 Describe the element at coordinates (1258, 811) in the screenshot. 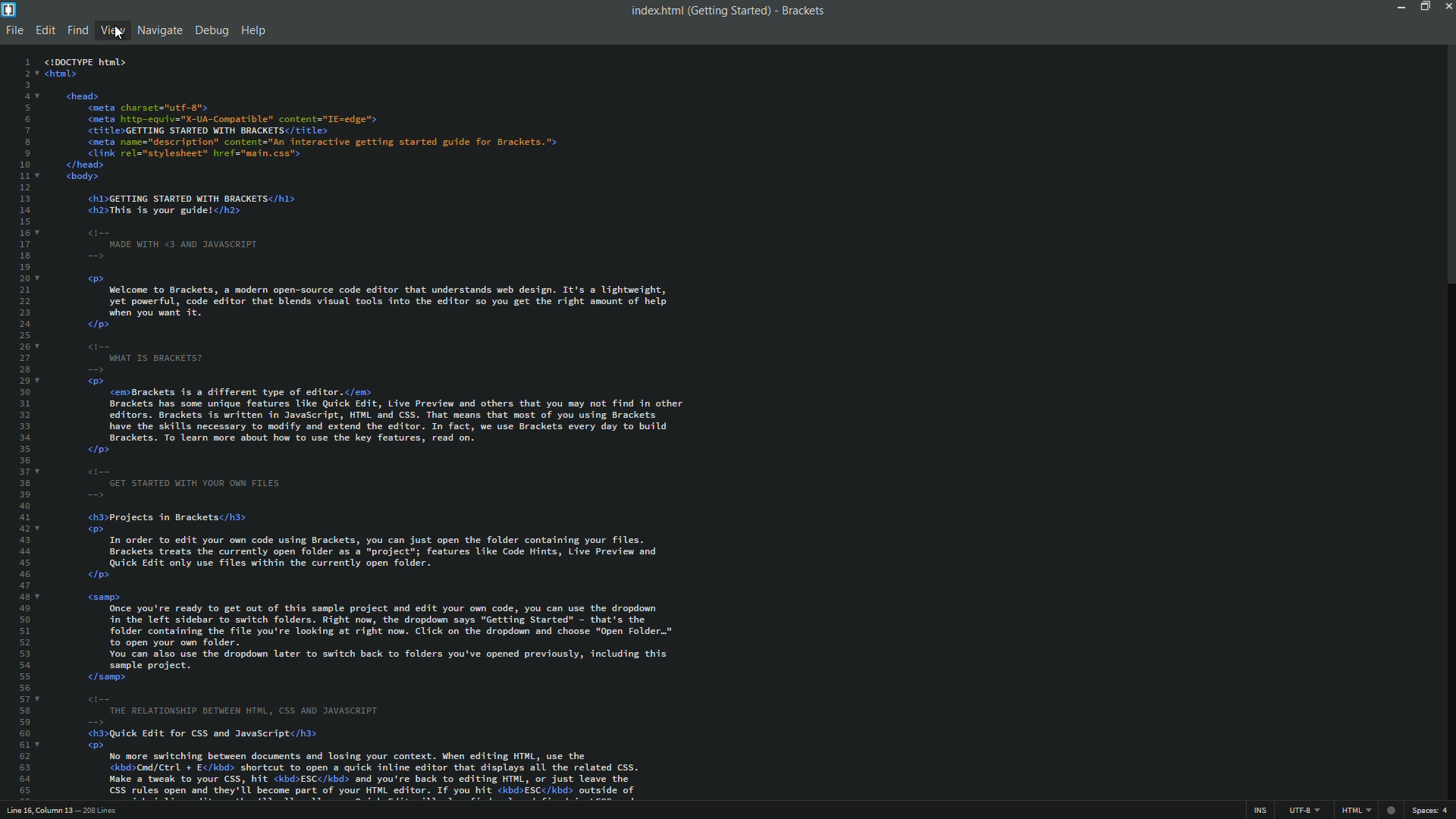

I see `ins` at that location.